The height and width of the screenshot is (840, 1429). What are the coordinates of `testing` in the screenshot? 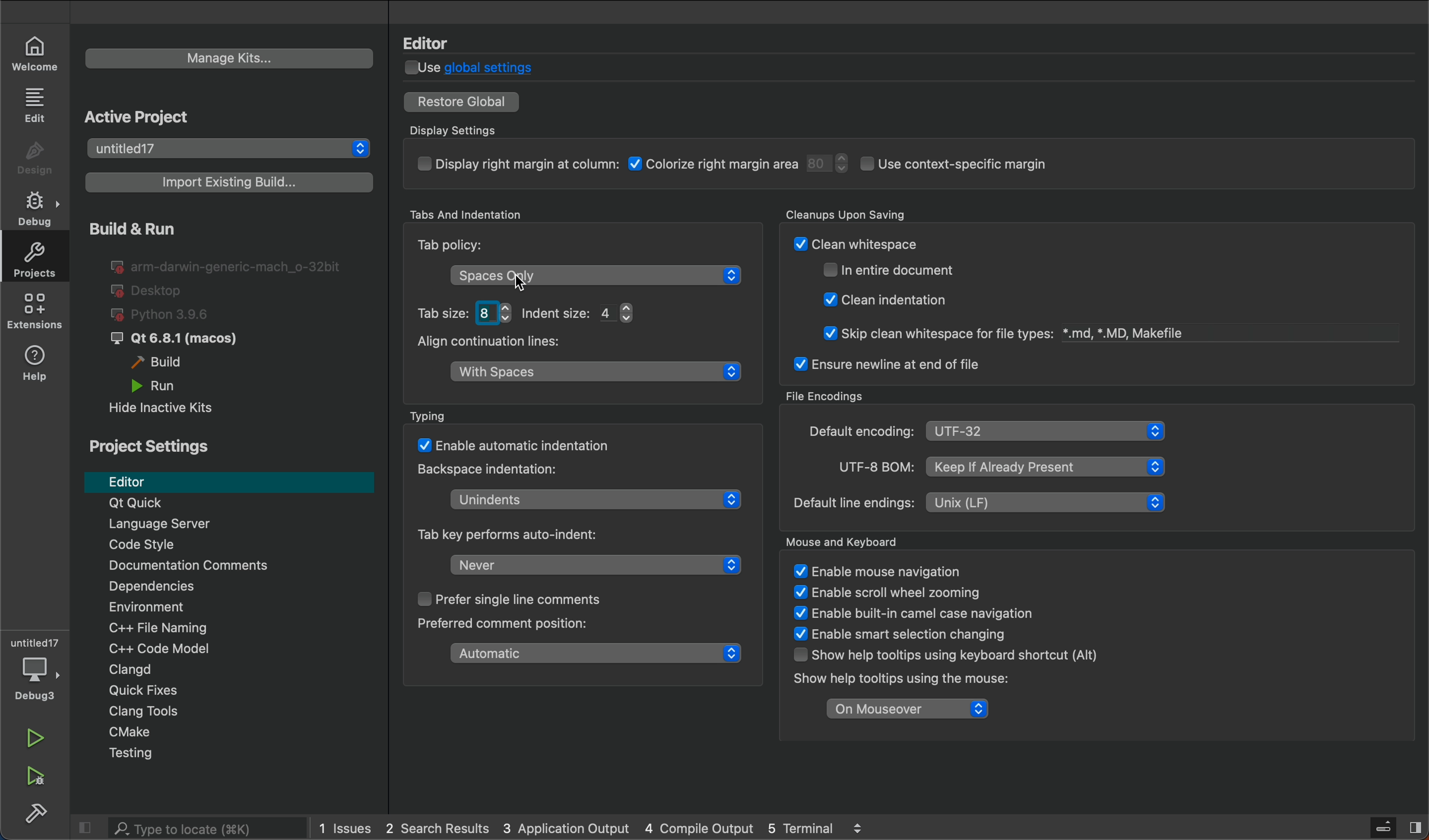 It's located at (231, 757).